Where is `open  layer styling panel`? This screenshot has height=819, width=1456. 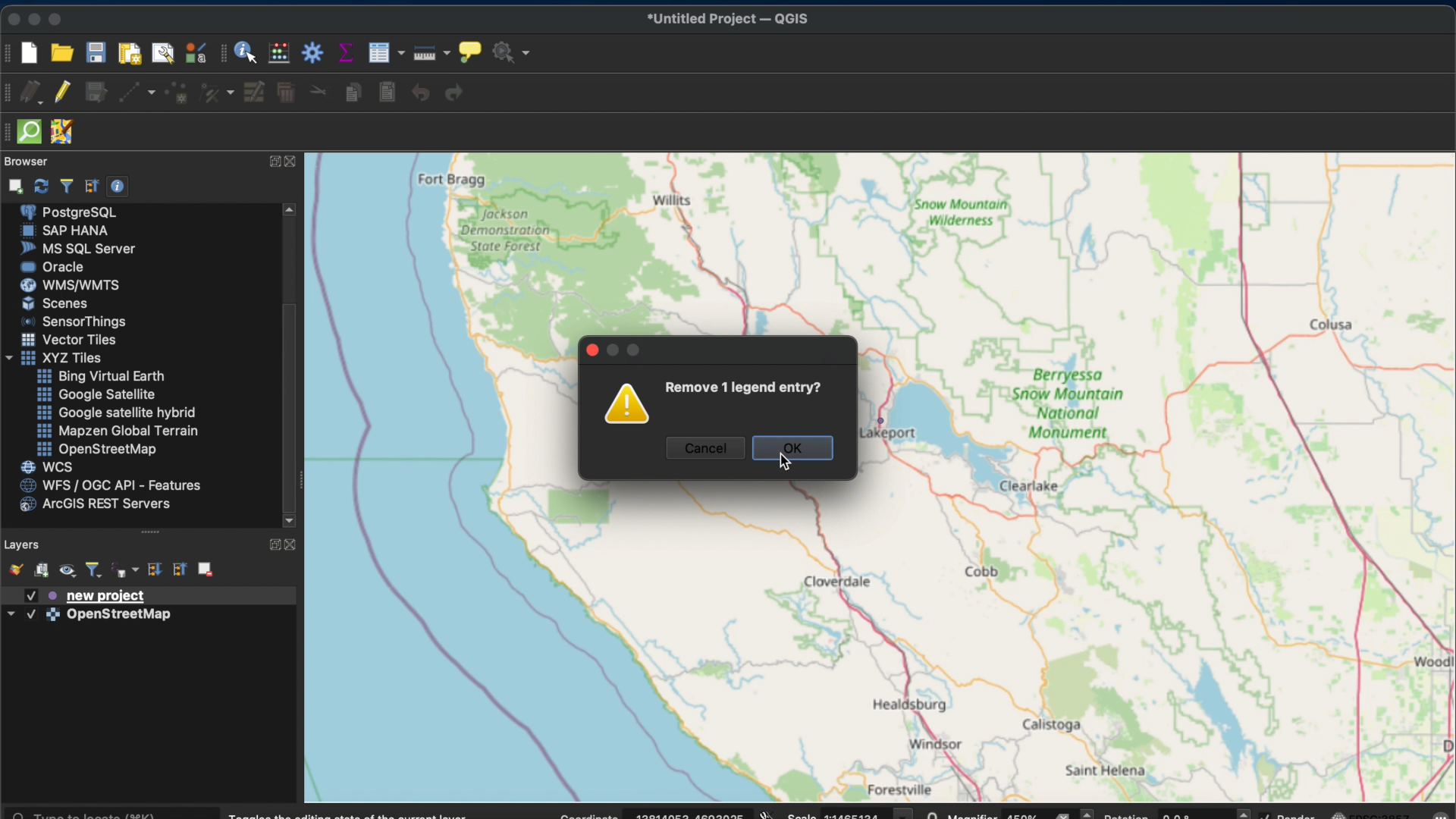
open  layer styling panel is located at coordinates (13, 568).